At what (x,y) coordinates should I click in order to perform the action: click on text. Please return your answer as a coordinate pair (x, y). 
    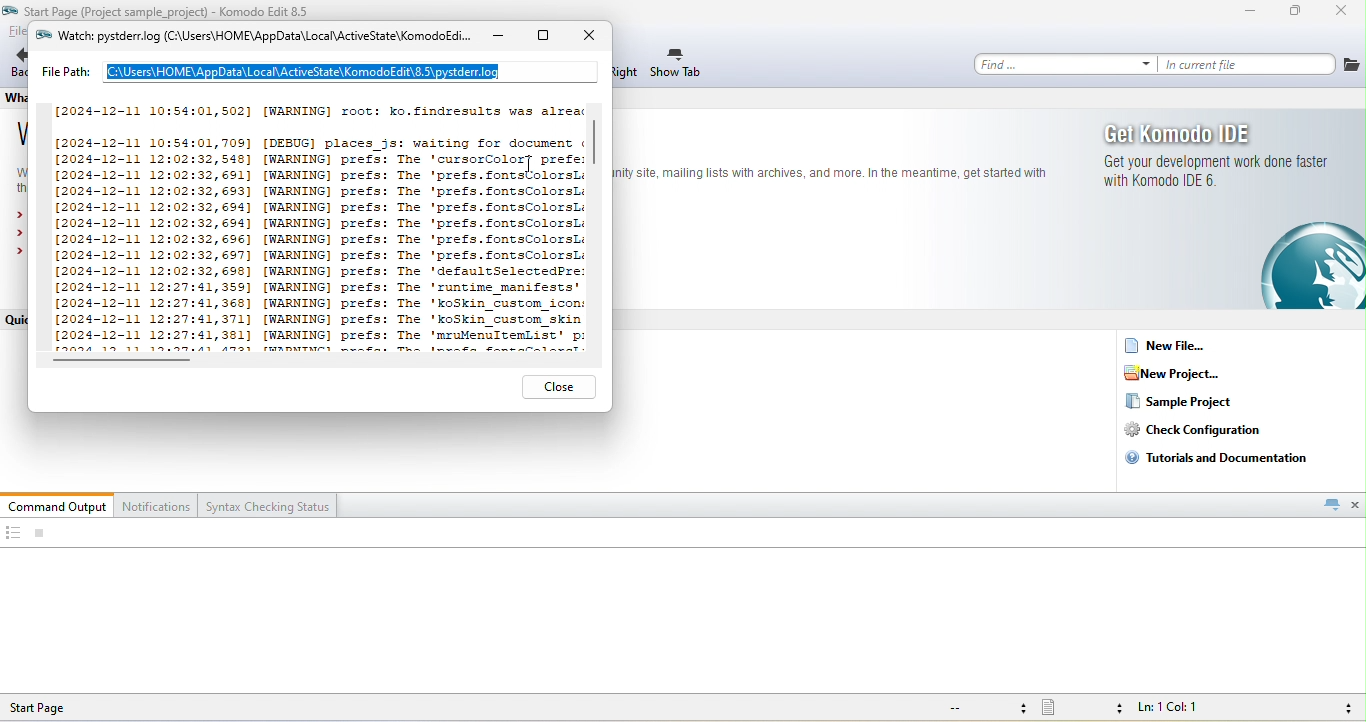
    Looking at the image, I should click on (833, 172).